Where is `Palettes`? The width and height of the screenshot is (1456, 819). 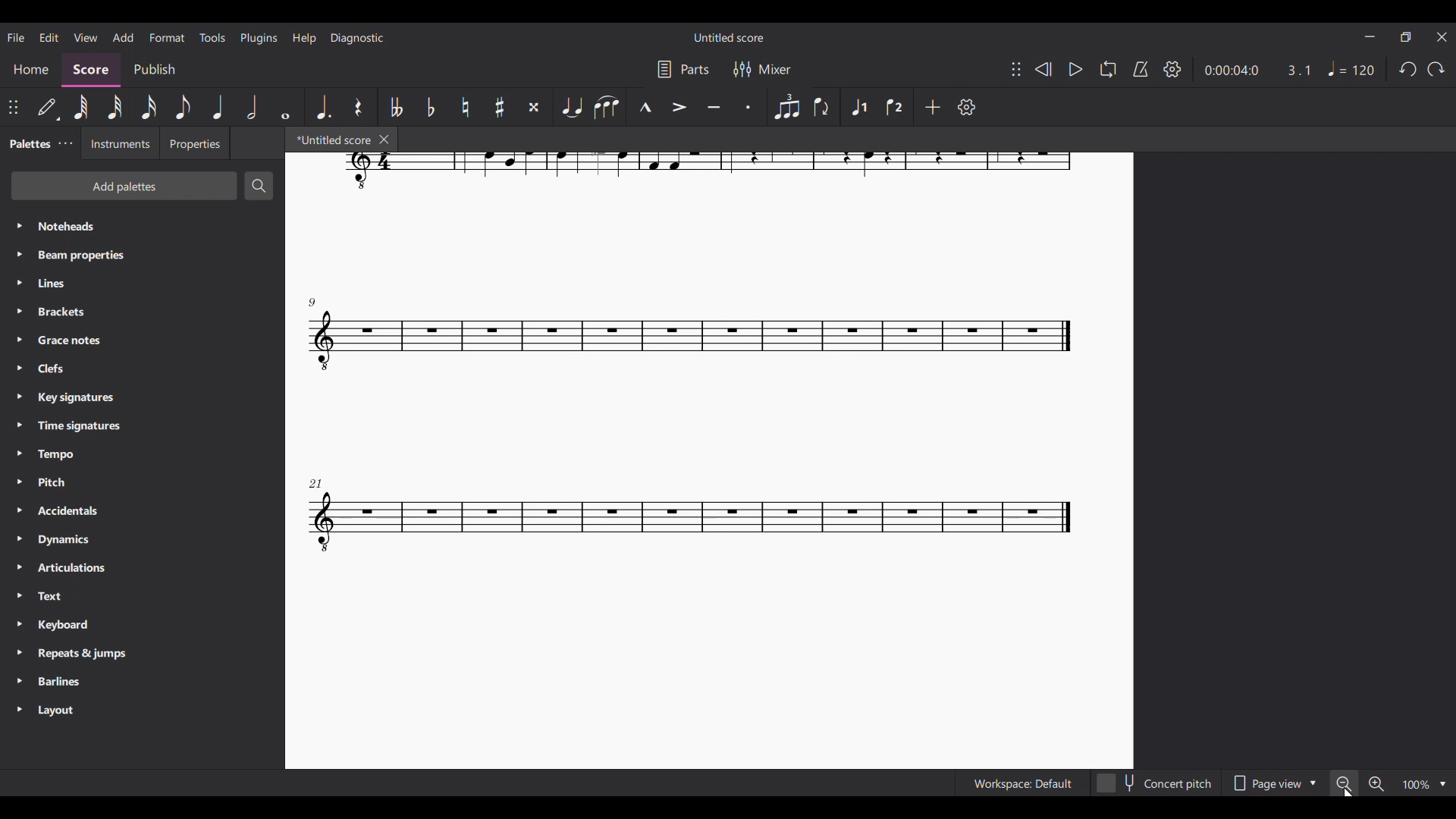 Palettes is located at coordinates (27, 145).